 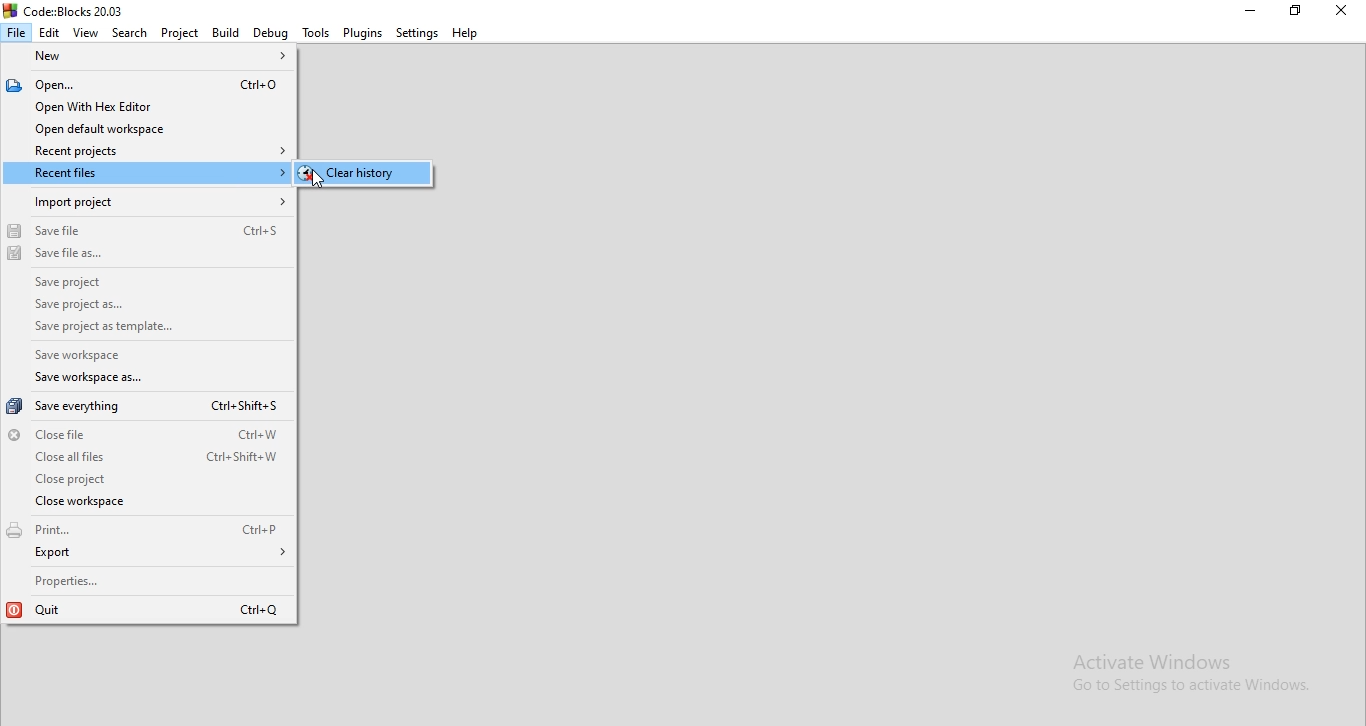 I want to click on Activate Windows, so click(x=1165, y=659).